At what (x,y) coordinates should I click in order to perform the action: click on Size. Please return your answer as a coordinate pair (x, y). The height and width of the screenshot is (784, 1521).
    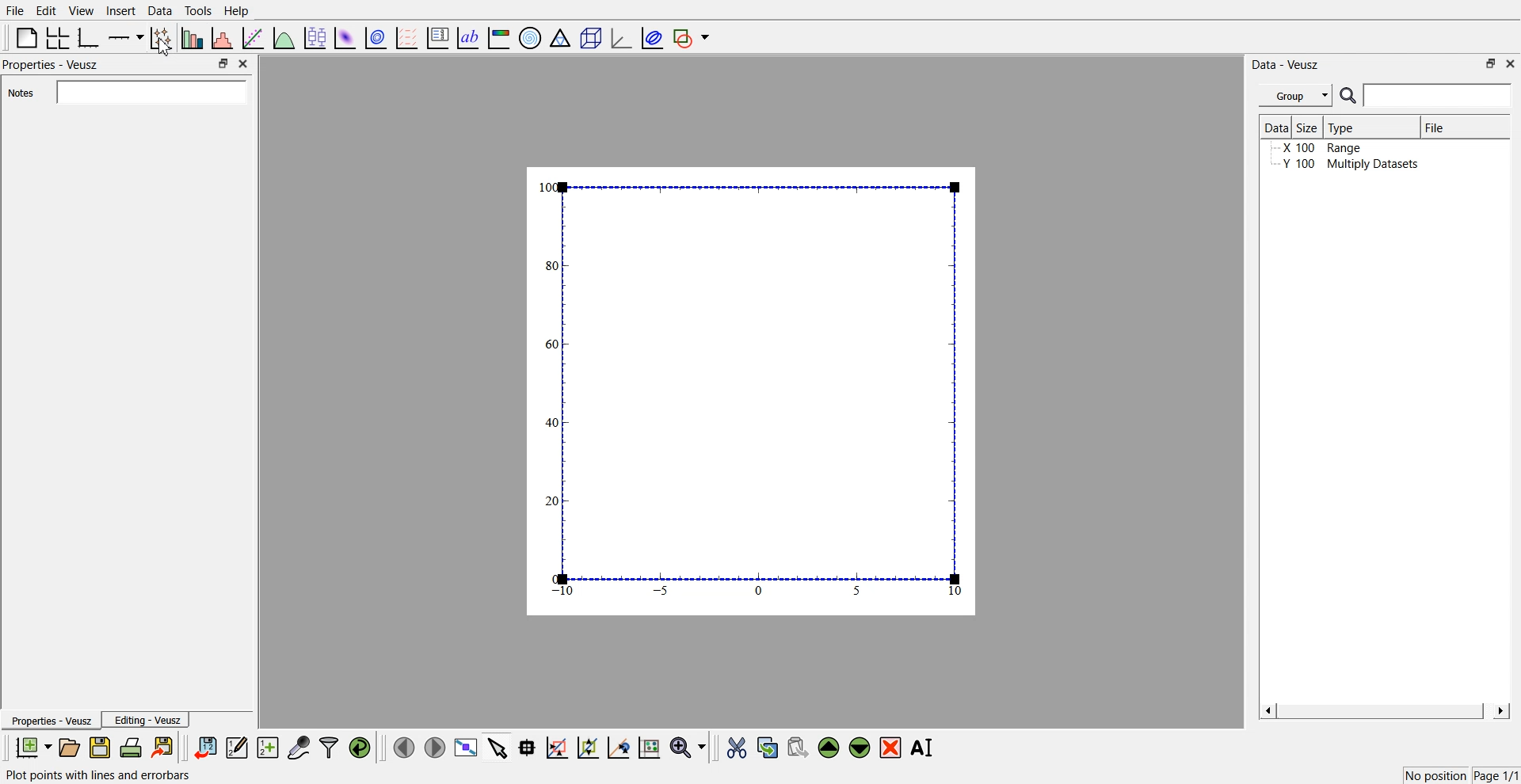
    Looking at the image, I should click on (1309, 127).